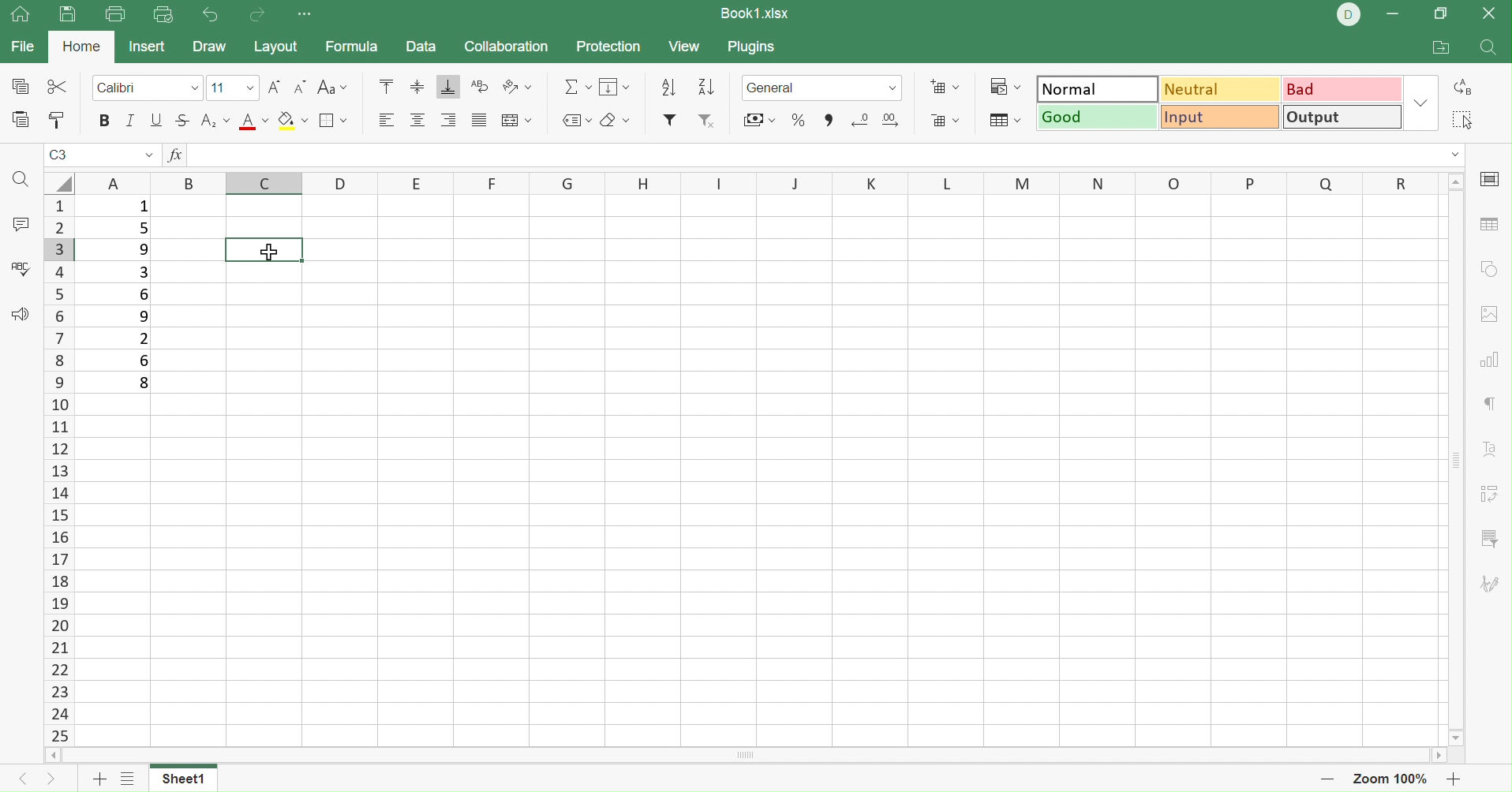 The height and width of the screenshot is (792, 1512). What do you see at coordinates (84, 45) in the screenshot?
I see `Home` at bounding box center [84, 45].